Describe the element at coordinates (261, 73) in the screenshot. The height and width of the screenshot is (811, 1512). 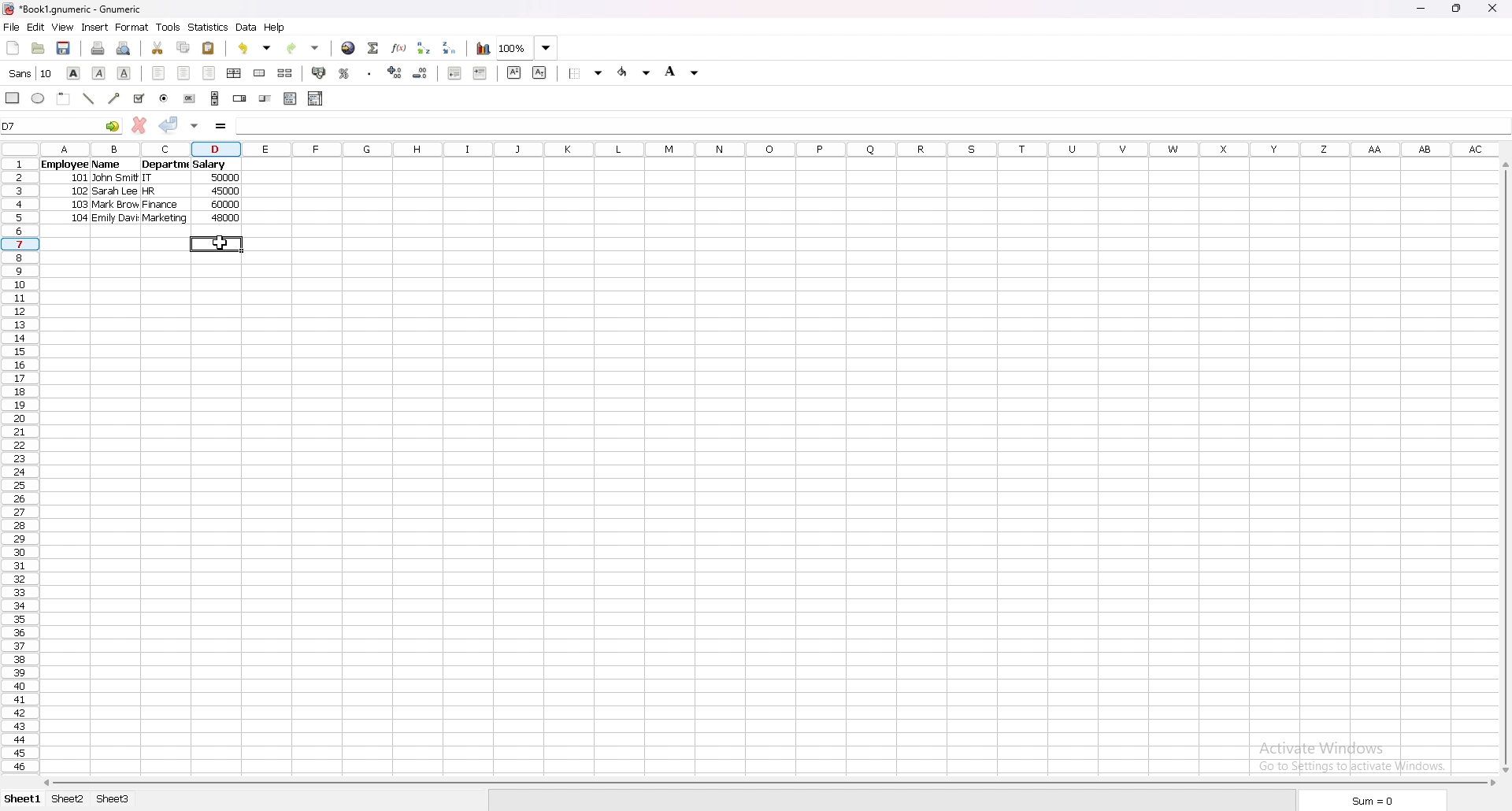
I see `merge` at that location.